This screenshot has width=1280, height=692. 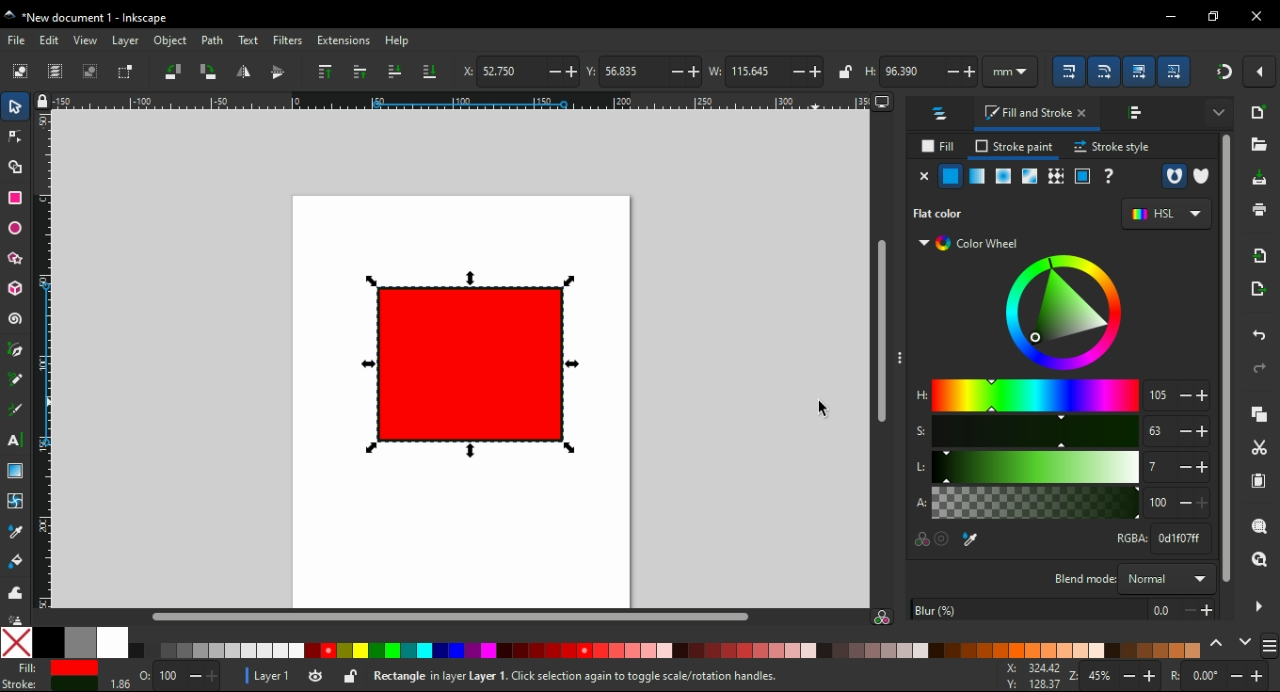 I want to click on blend mode, so click(x=1082, y=578).